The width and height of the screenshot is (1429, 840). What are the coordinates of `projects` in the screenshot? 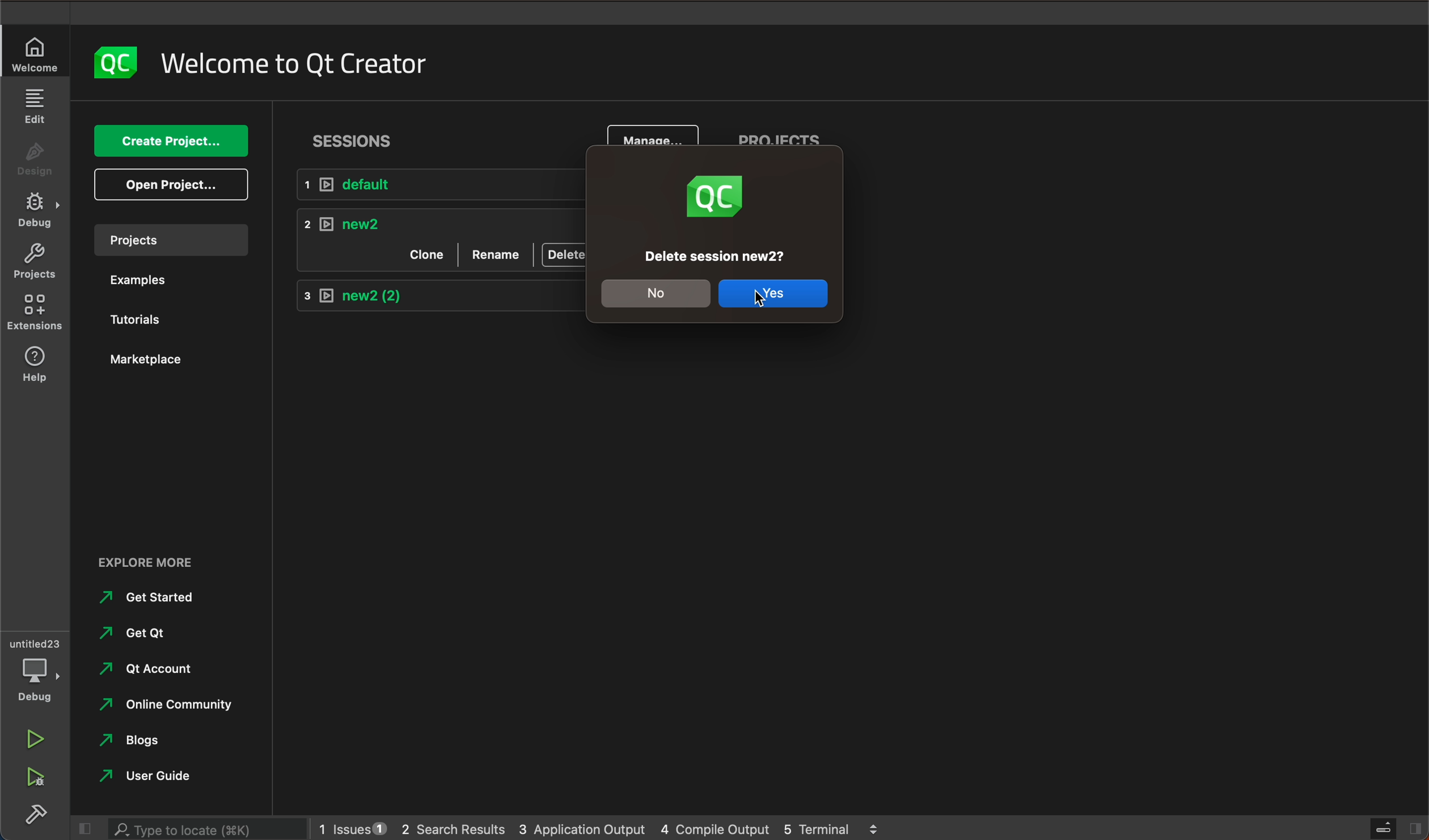 It's located at (35, 262).